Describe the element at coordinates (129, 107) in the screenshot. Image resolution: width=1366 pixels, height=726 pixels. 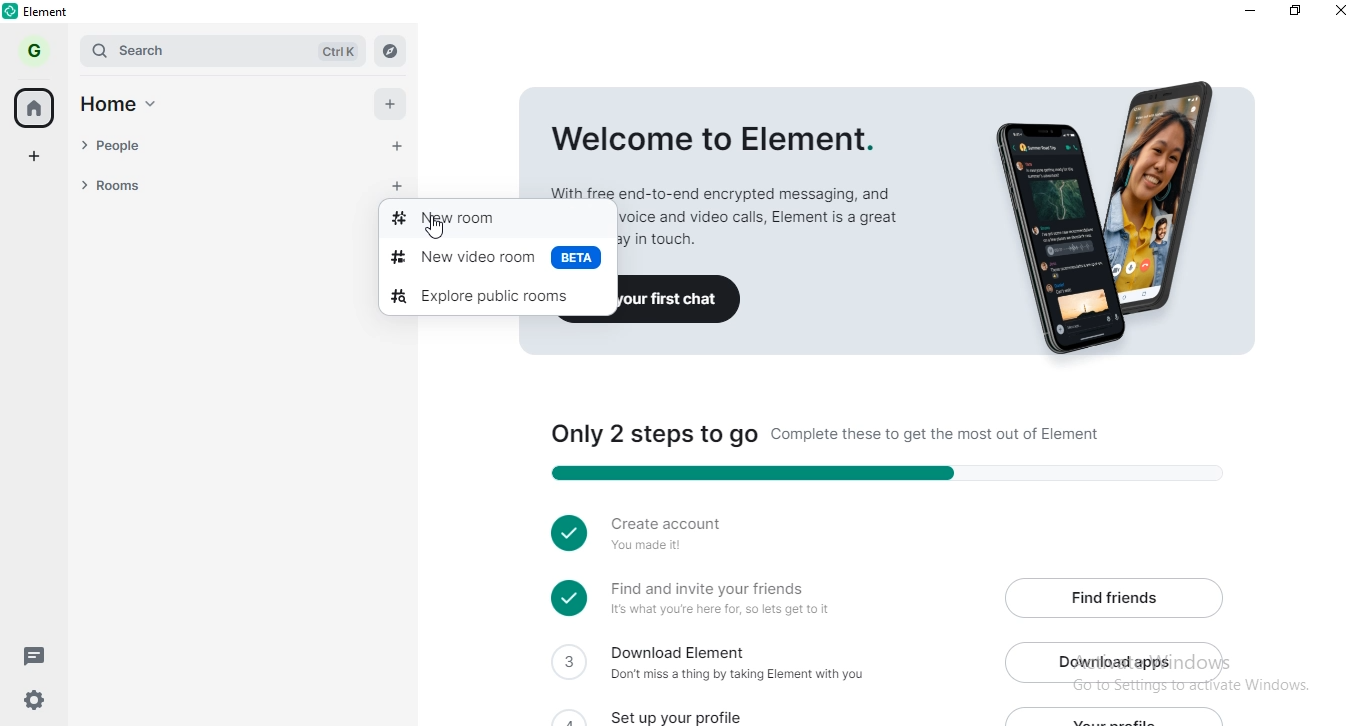
I see `home` at that location.